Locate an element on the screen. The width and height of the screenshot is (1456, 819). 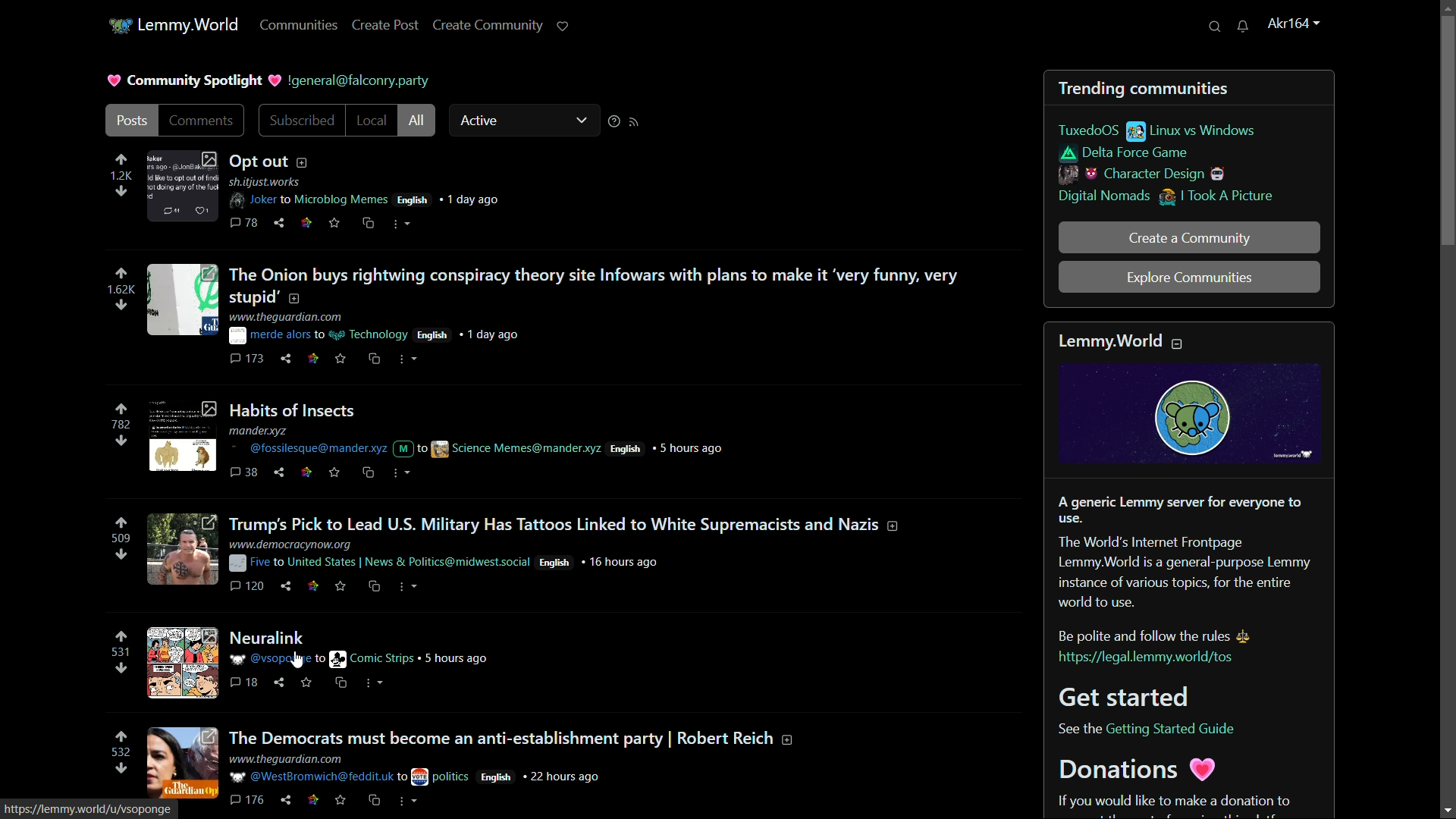
comments is located at coordinates (245, 684).